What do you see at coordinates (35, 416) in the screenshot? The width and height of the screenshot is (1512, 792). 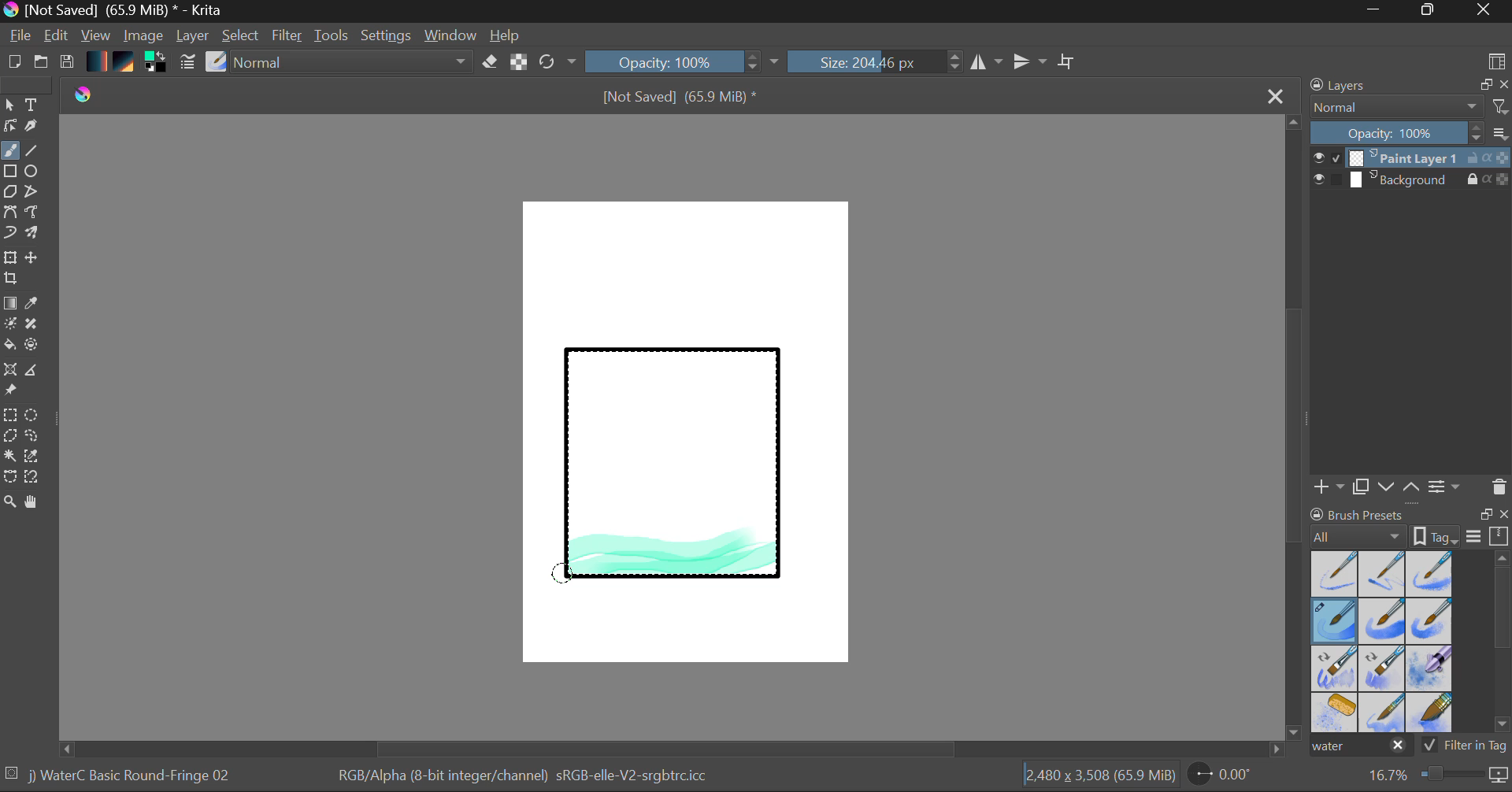 I see `Elipses Selection tool` at bounding box center [35, 416].